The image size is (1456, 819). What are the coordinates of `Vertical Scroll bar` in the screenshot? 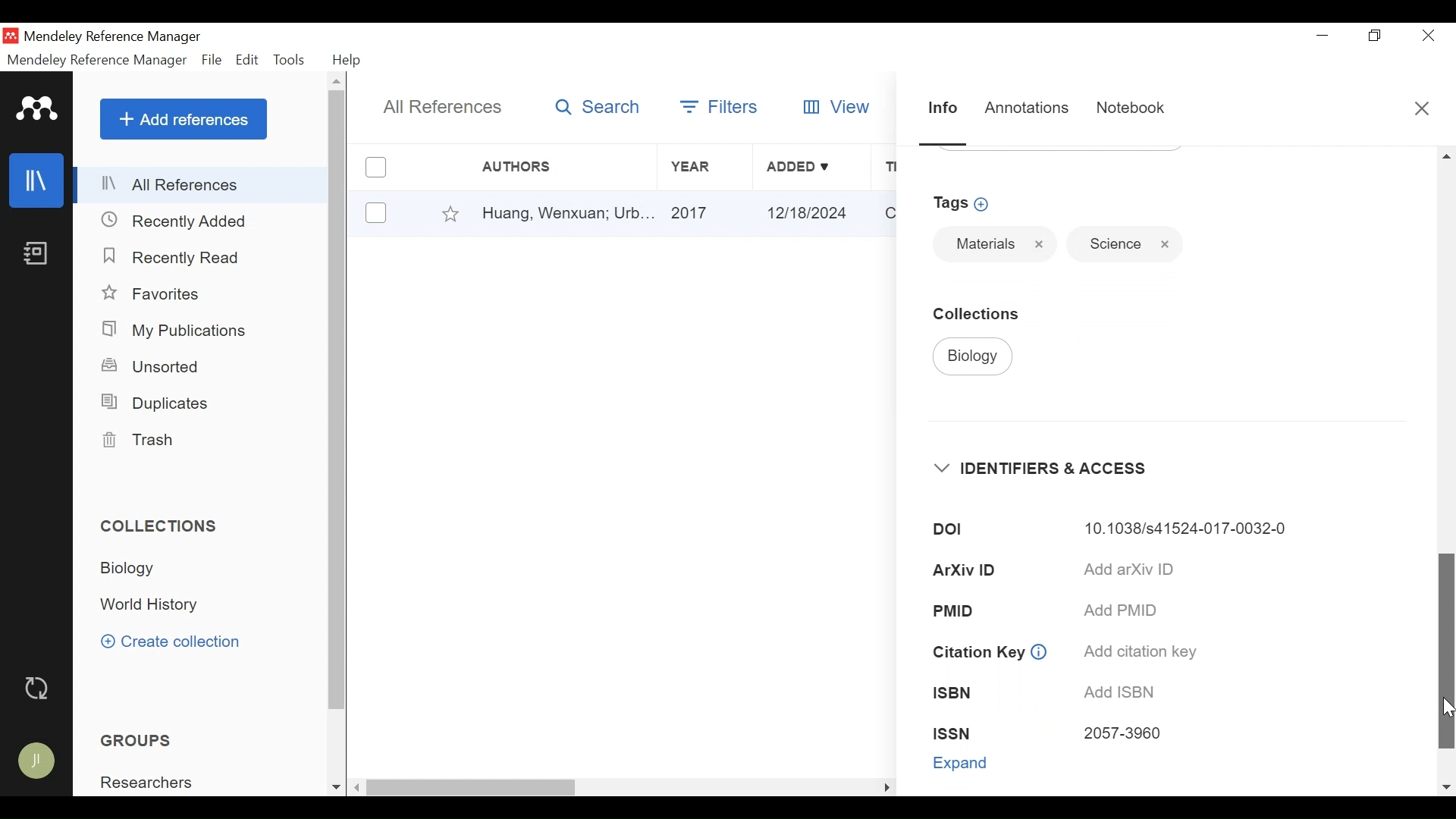 It's located at (338, 401).